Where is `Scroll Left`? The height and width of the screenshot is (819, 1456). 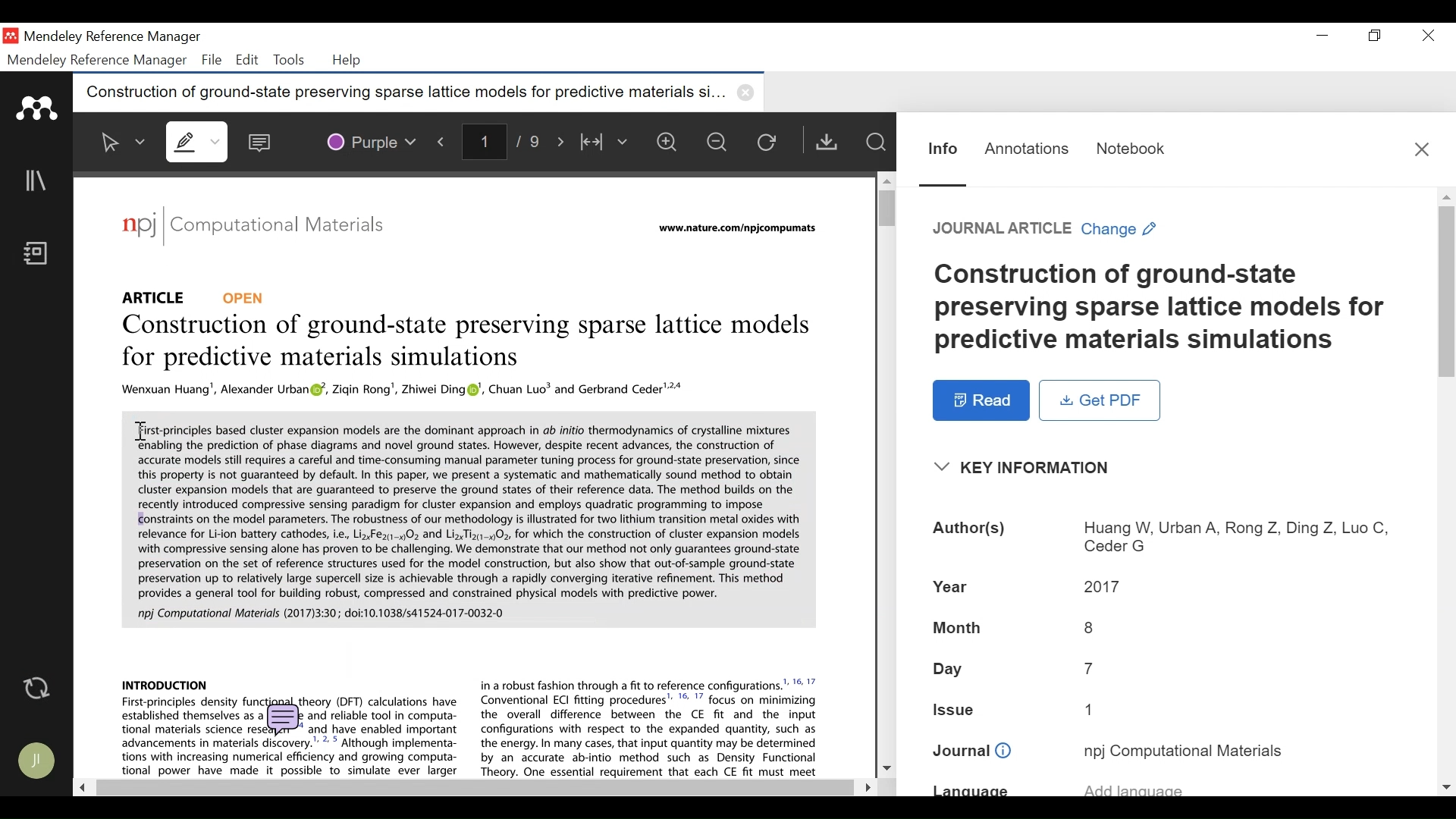 Scroll Left is located at coordinates (80, 786).